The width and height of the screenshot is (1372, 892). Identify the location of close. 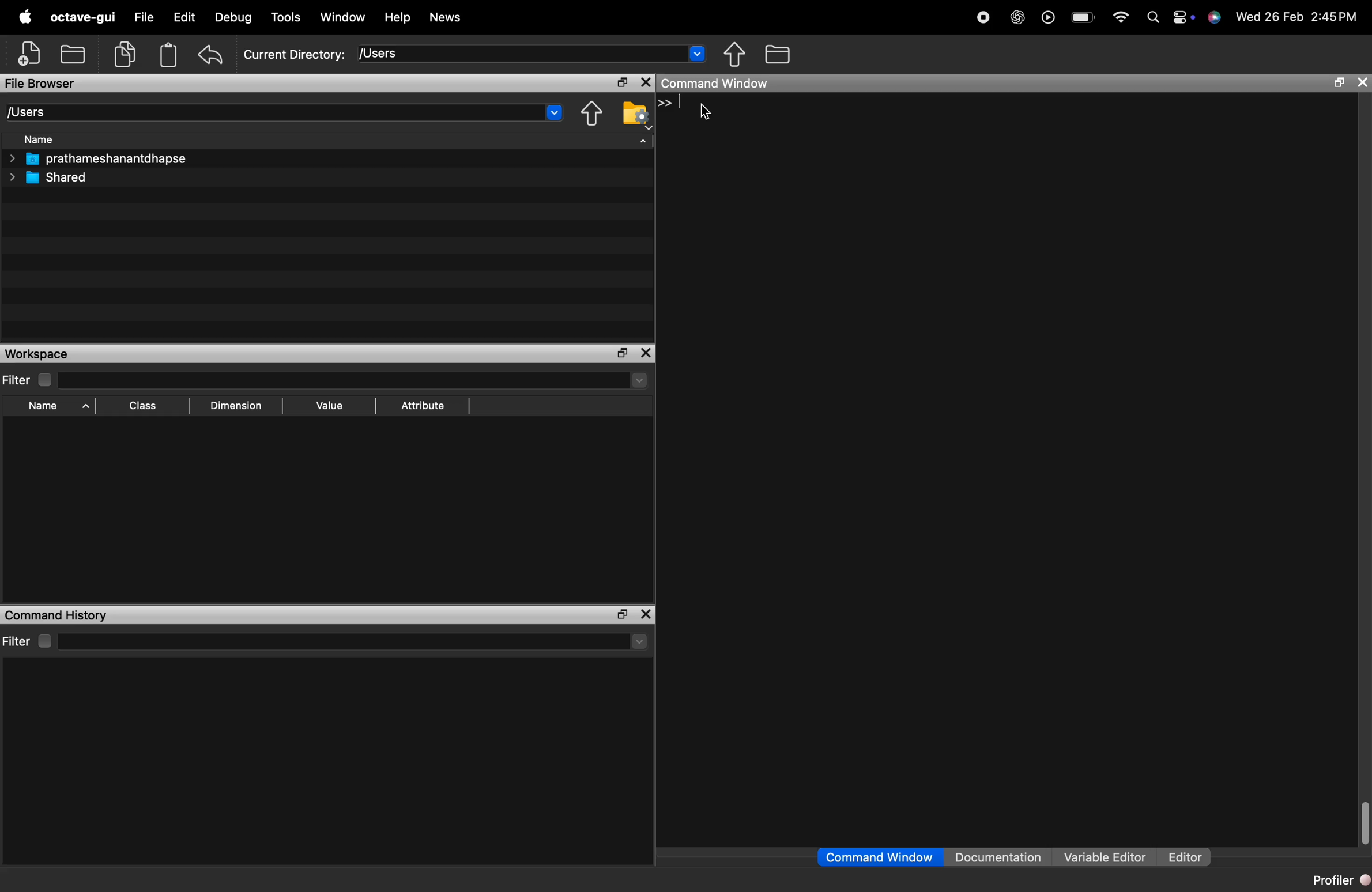
(646, 351).